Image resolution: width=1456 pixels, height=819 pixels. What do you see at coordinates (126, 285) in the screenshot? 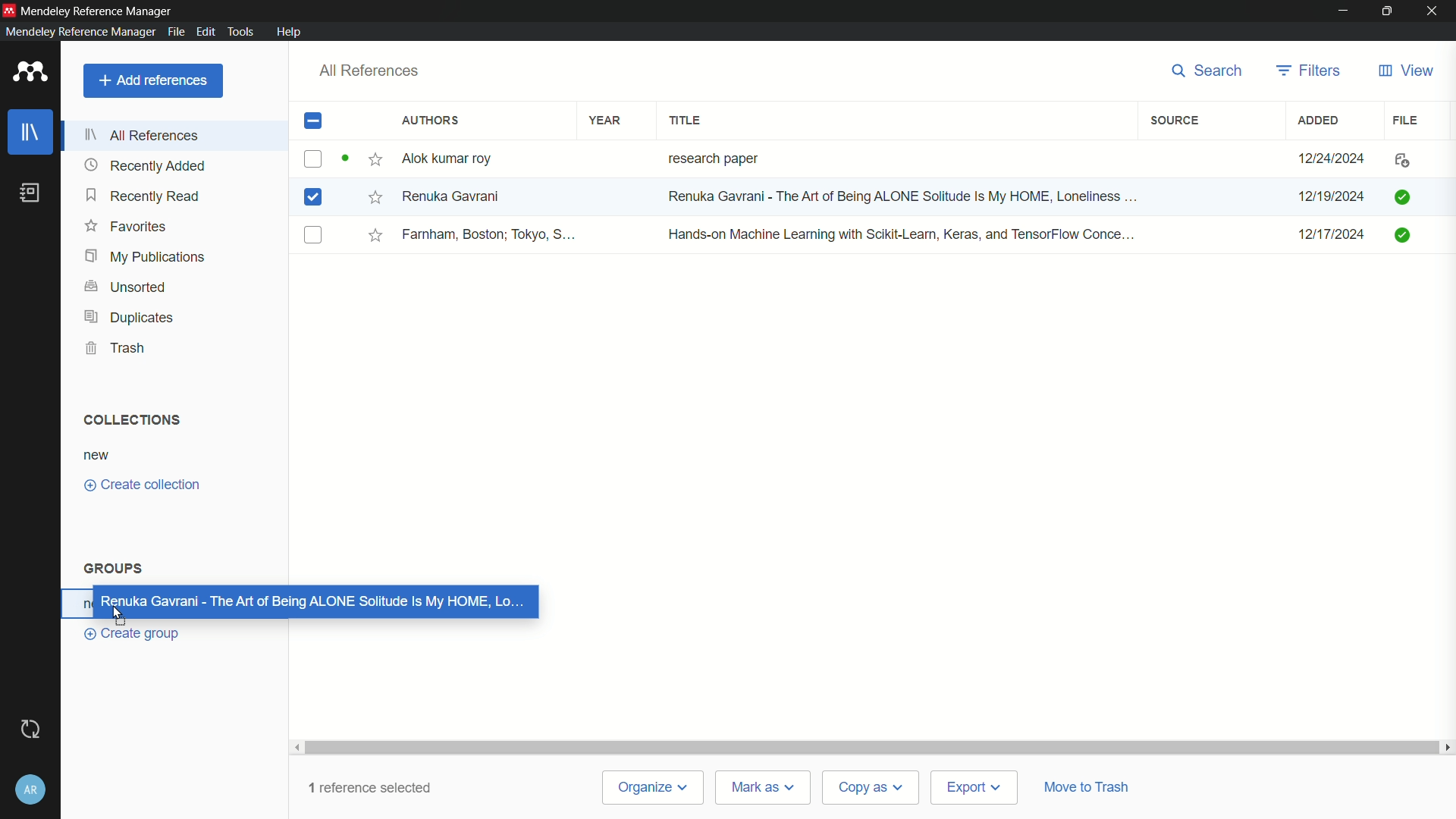
I see `unsorted` at bounding box center [126, 285].